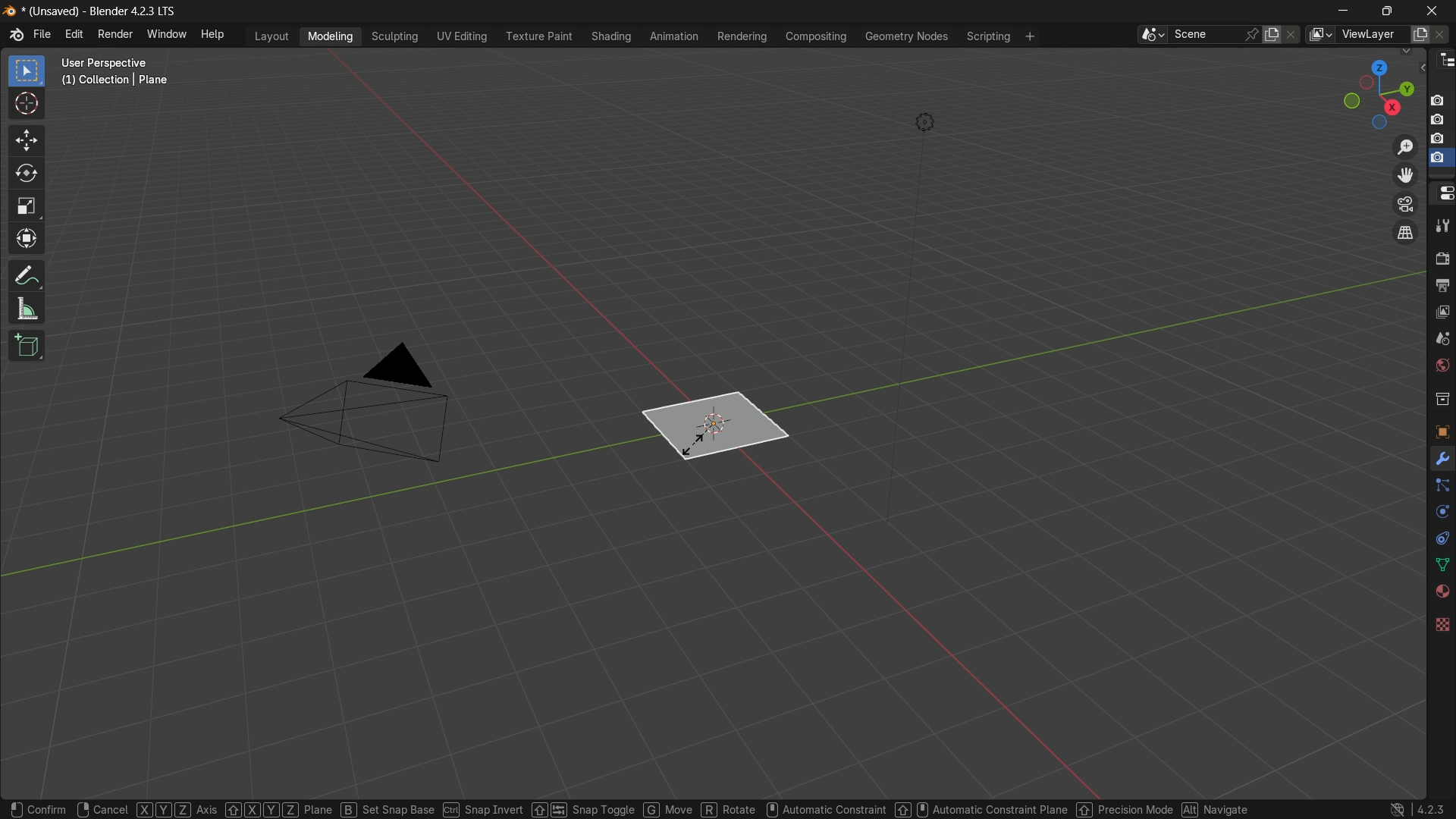  What do you see at coordinates (986, 37) in the screenshot?
I see `scripting` at bounding box center [986, 37].